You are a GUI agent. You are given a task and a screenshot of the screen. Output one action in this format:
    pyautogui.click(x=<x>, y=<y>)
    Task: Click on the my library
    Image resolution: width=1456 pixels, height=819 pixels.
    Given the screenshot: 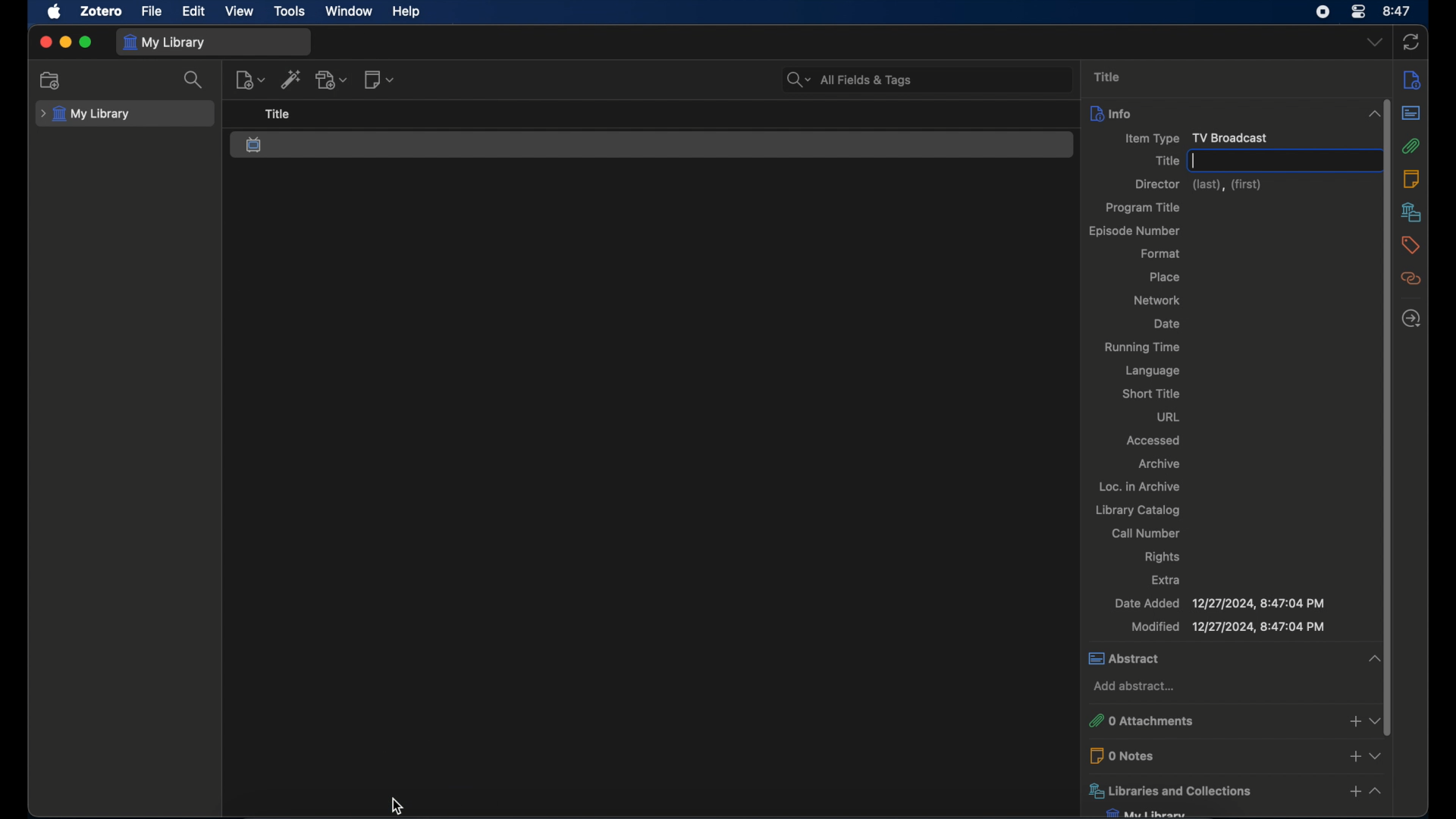 What is the action you would take?
    pyautogui.click(x=165, y=43)
    